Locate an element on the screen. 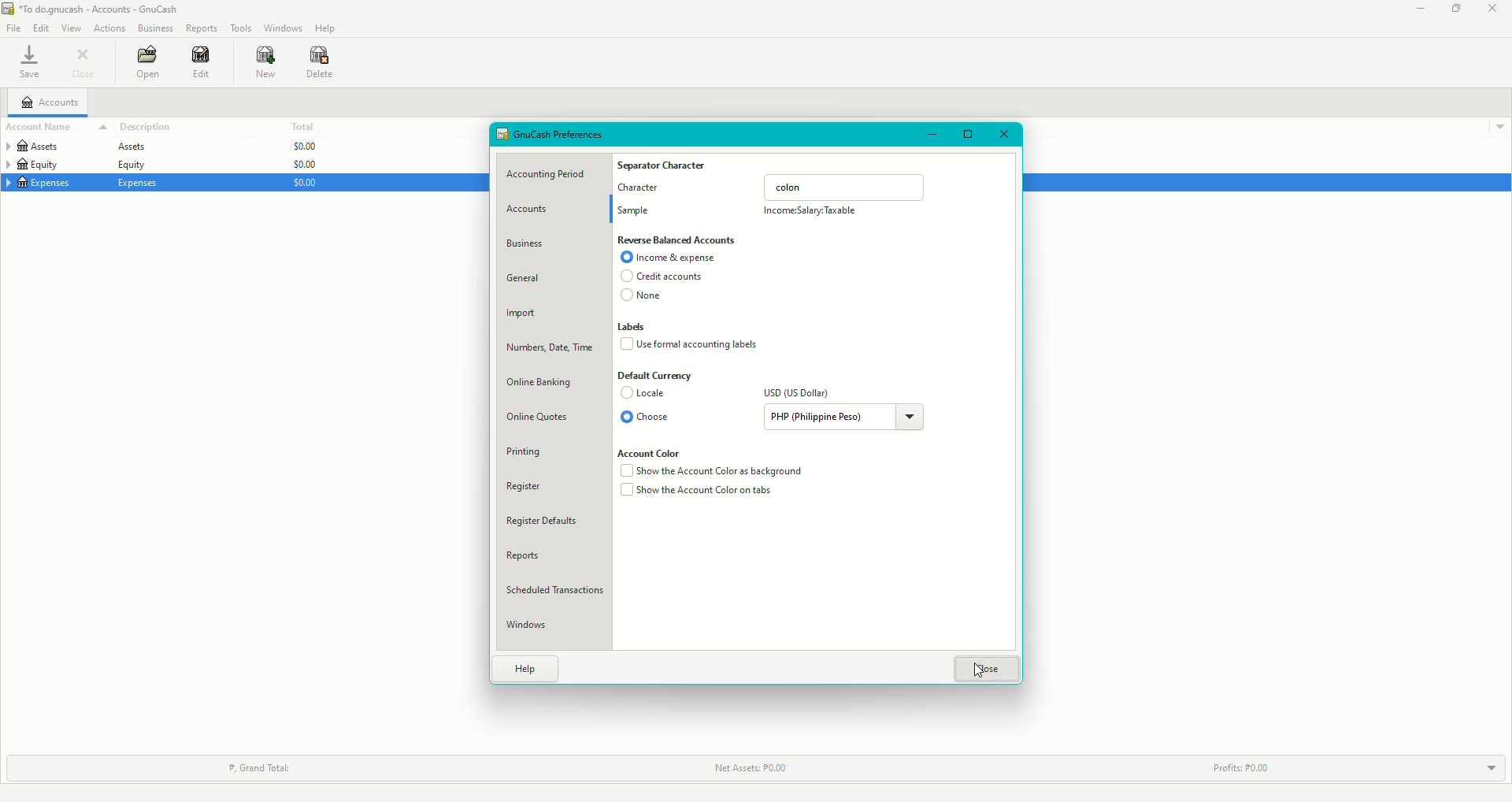 This screenshot has height=802, width=1512. Preferences is located at coordinates (554, 133).